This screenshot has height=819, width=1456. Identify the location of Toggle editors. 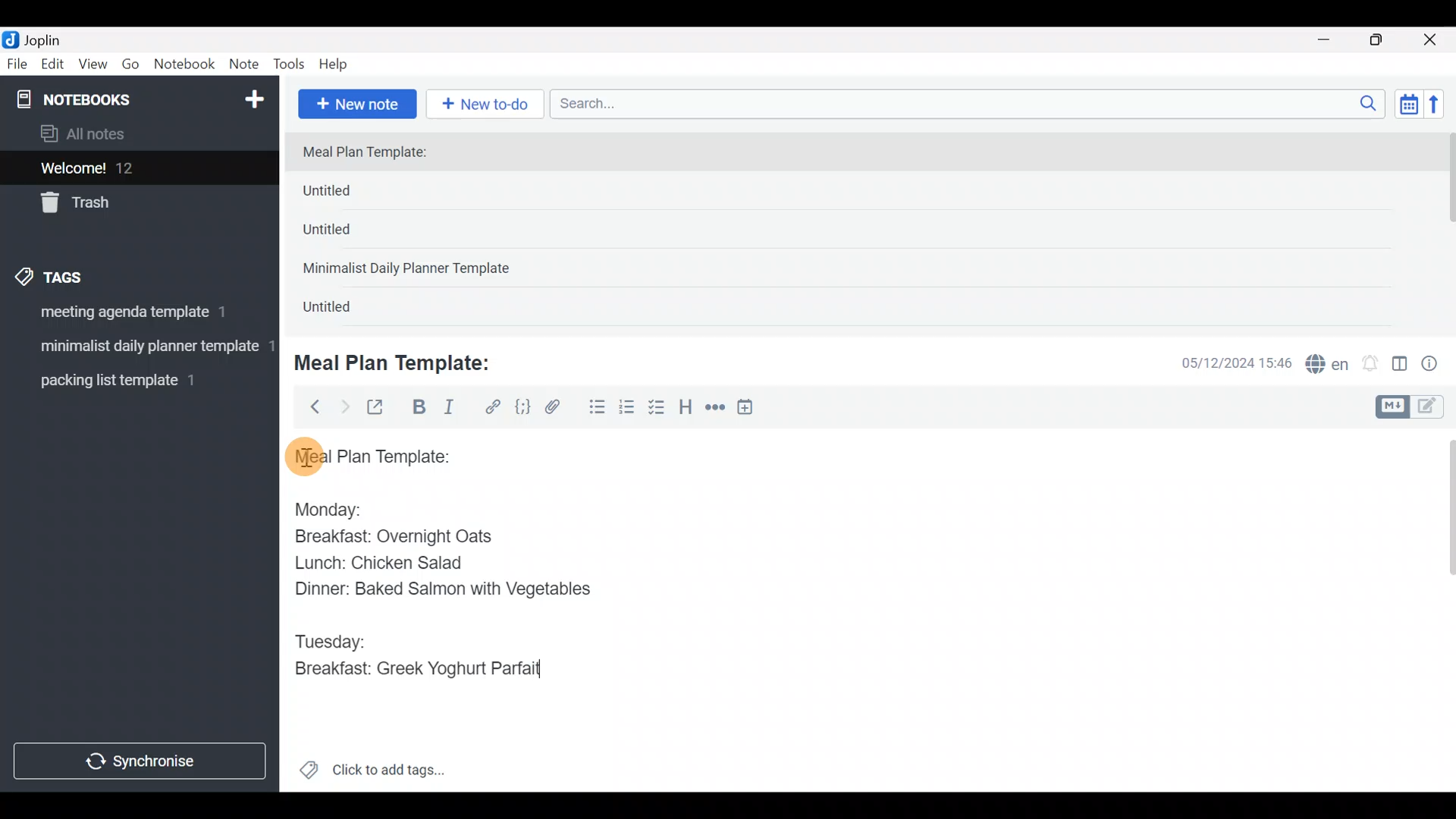
(1414, 405).